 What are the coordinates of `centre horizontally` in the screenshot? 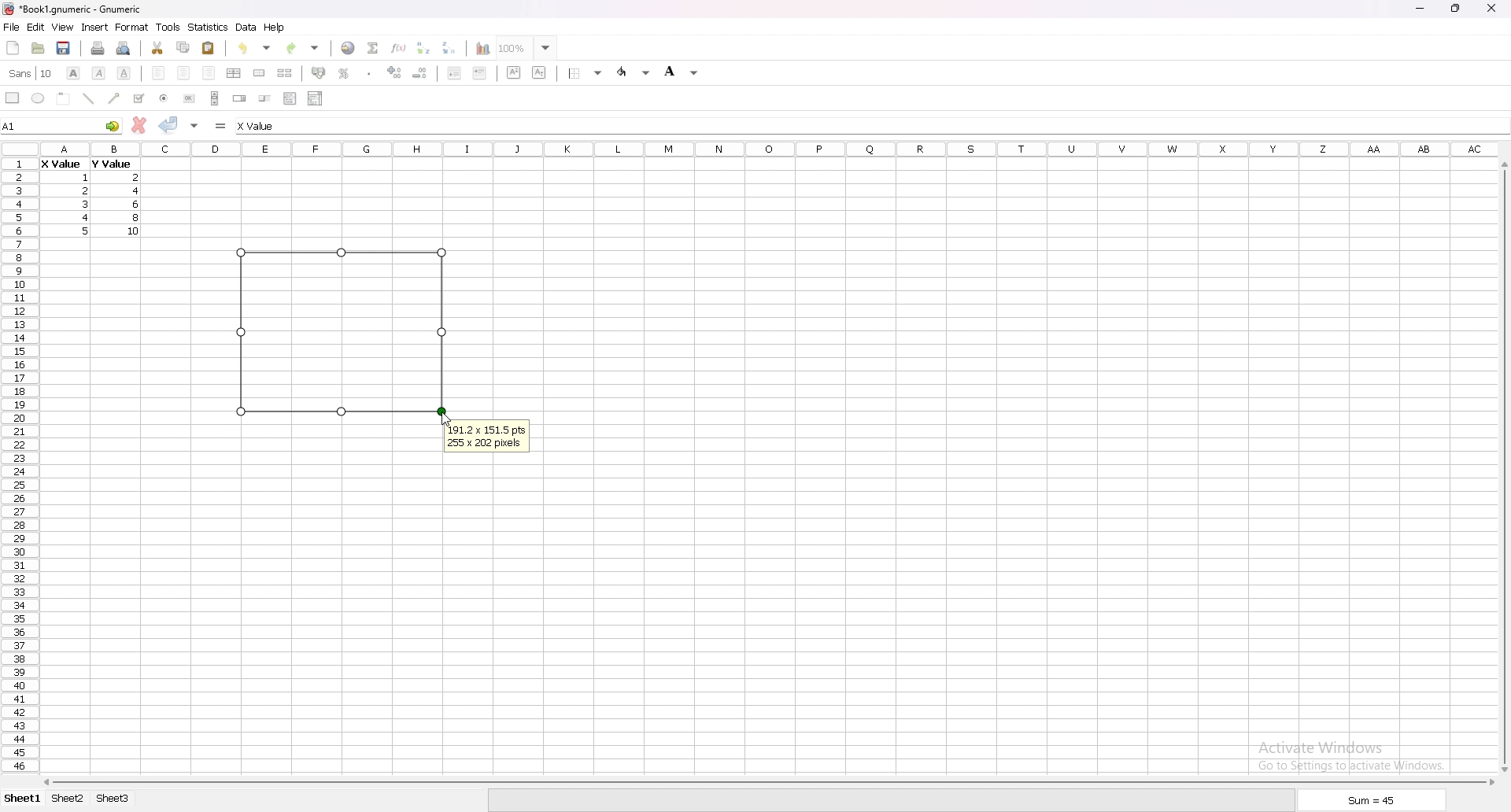 It's located at (235, 72).